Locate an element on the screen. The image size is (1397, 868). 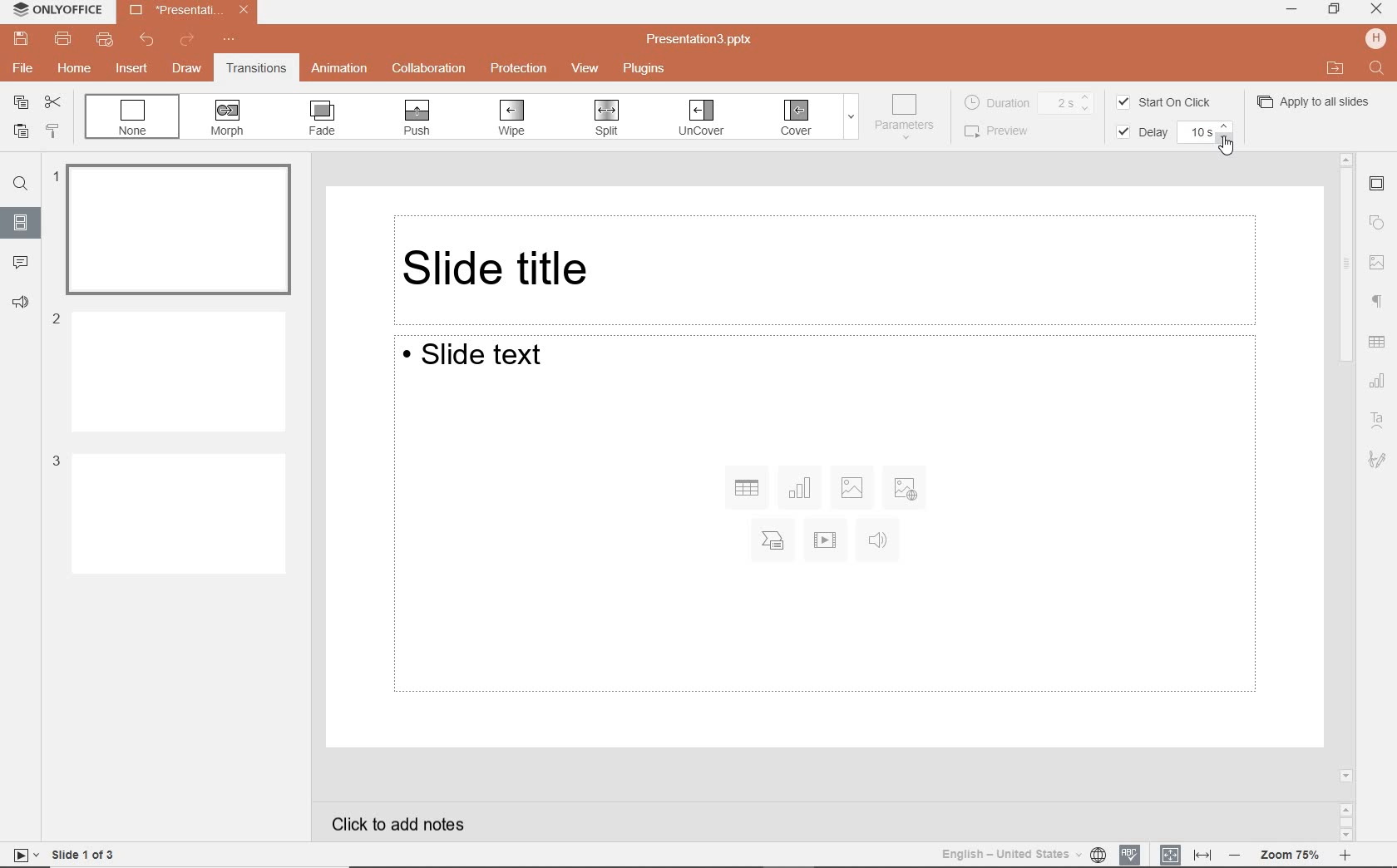
file is located at coordinates (22, 67).